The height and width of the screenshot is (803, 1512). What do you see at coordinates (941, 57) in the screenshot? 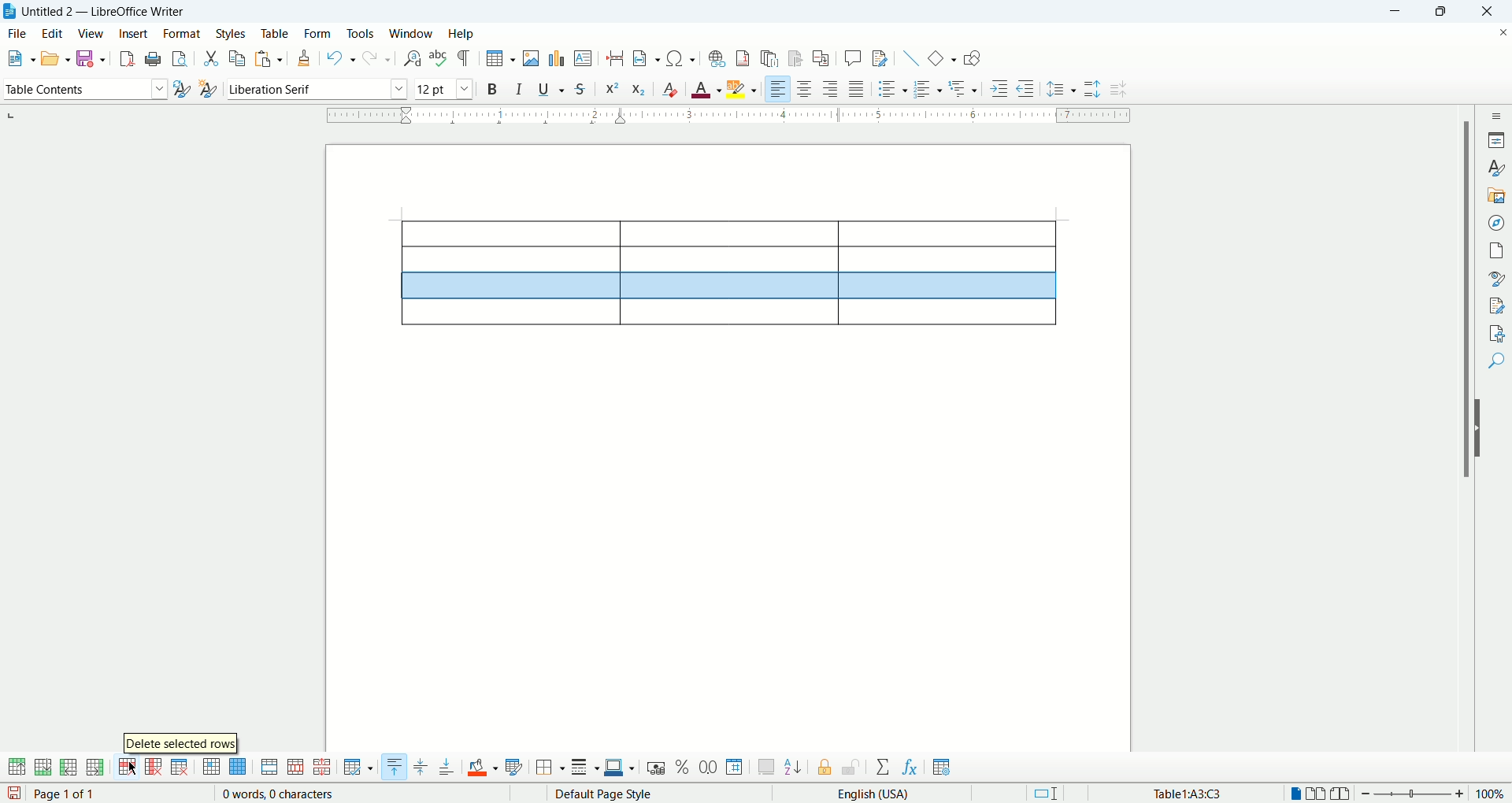
I see `basic function` at bounding box center [941, 57].